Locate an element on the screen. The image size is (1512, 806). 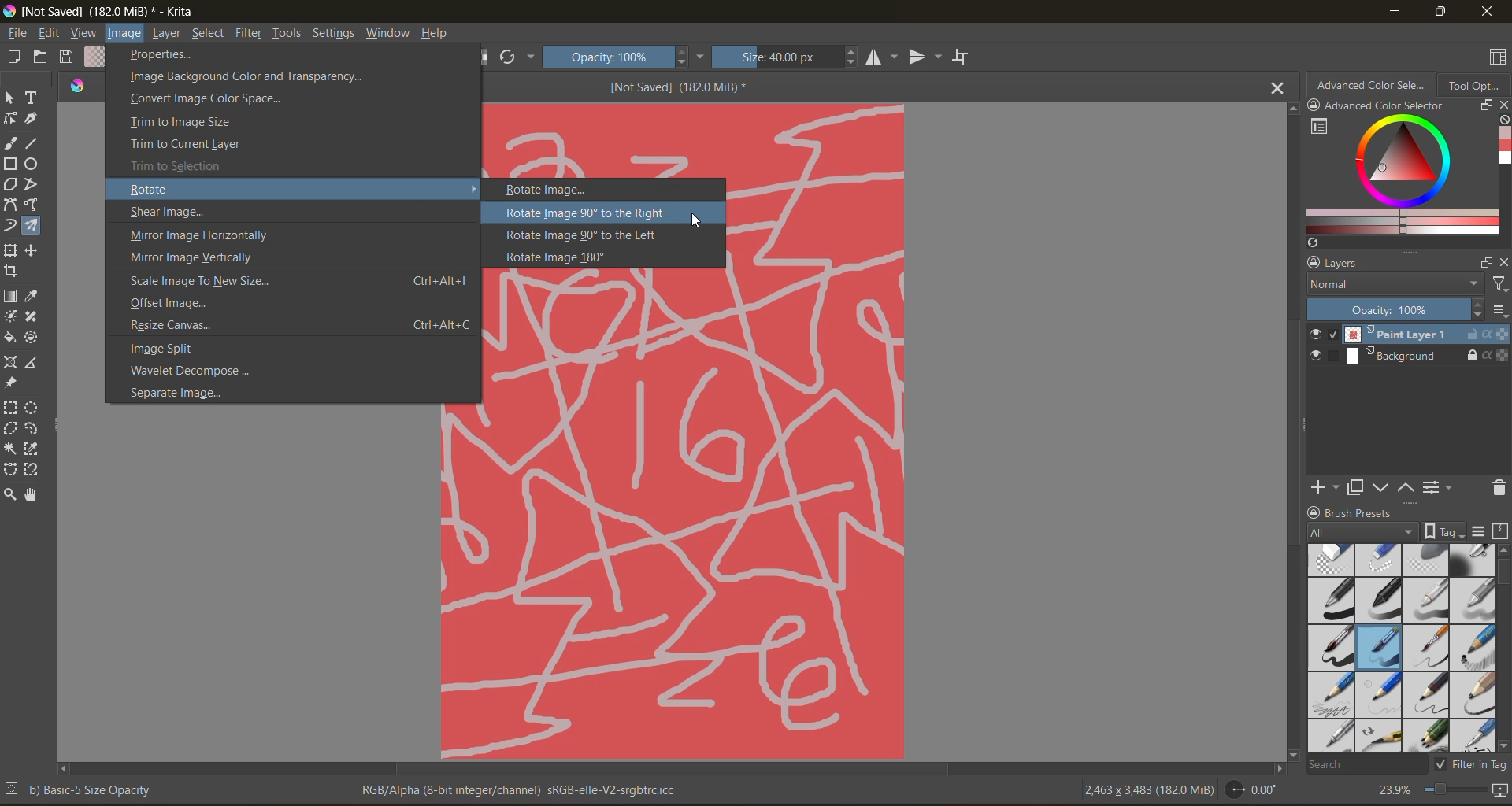
scroll down is located at coordinates (1291, 752).